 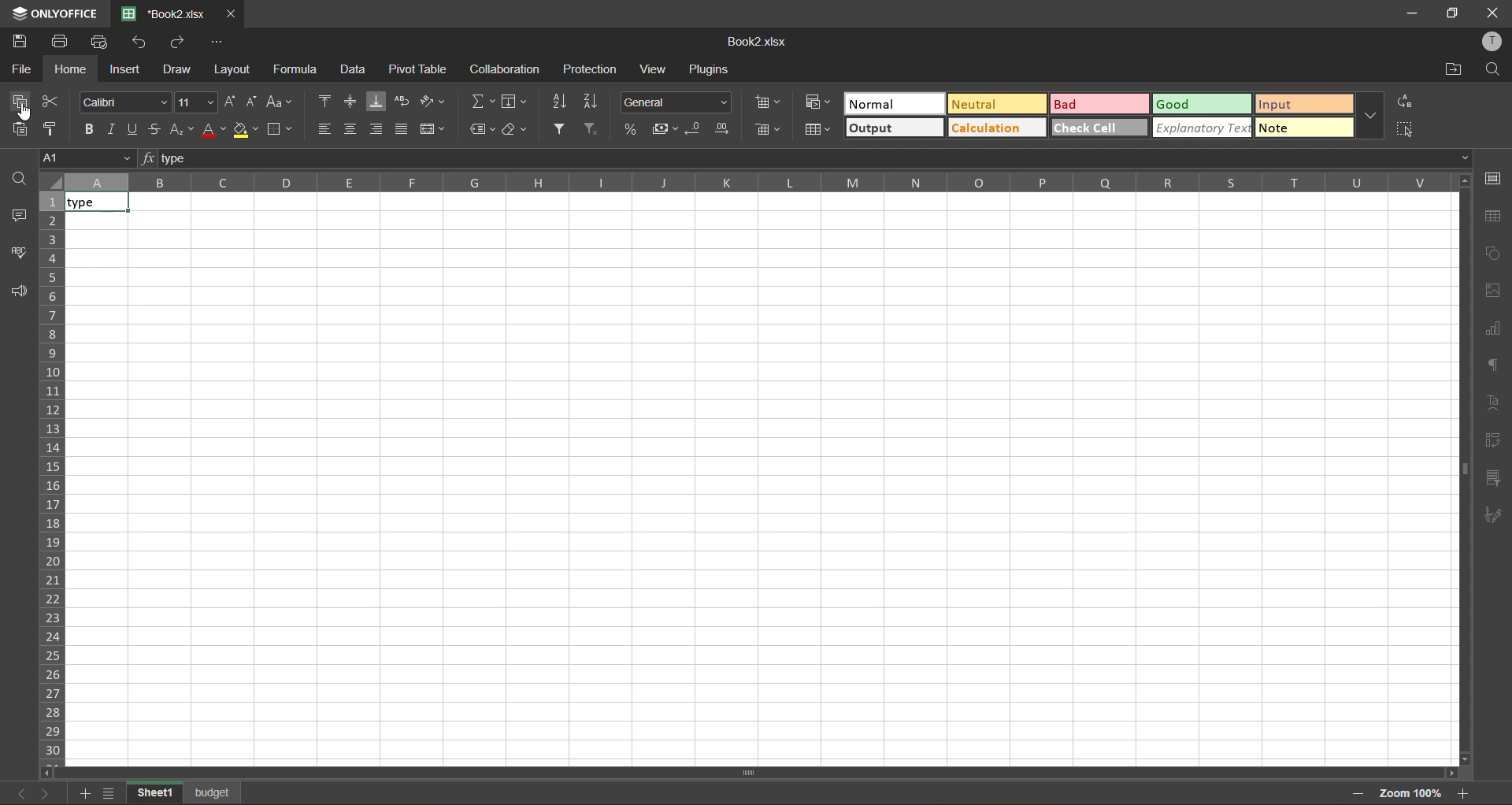 I want to click on normal, so click(x=892, y=103).